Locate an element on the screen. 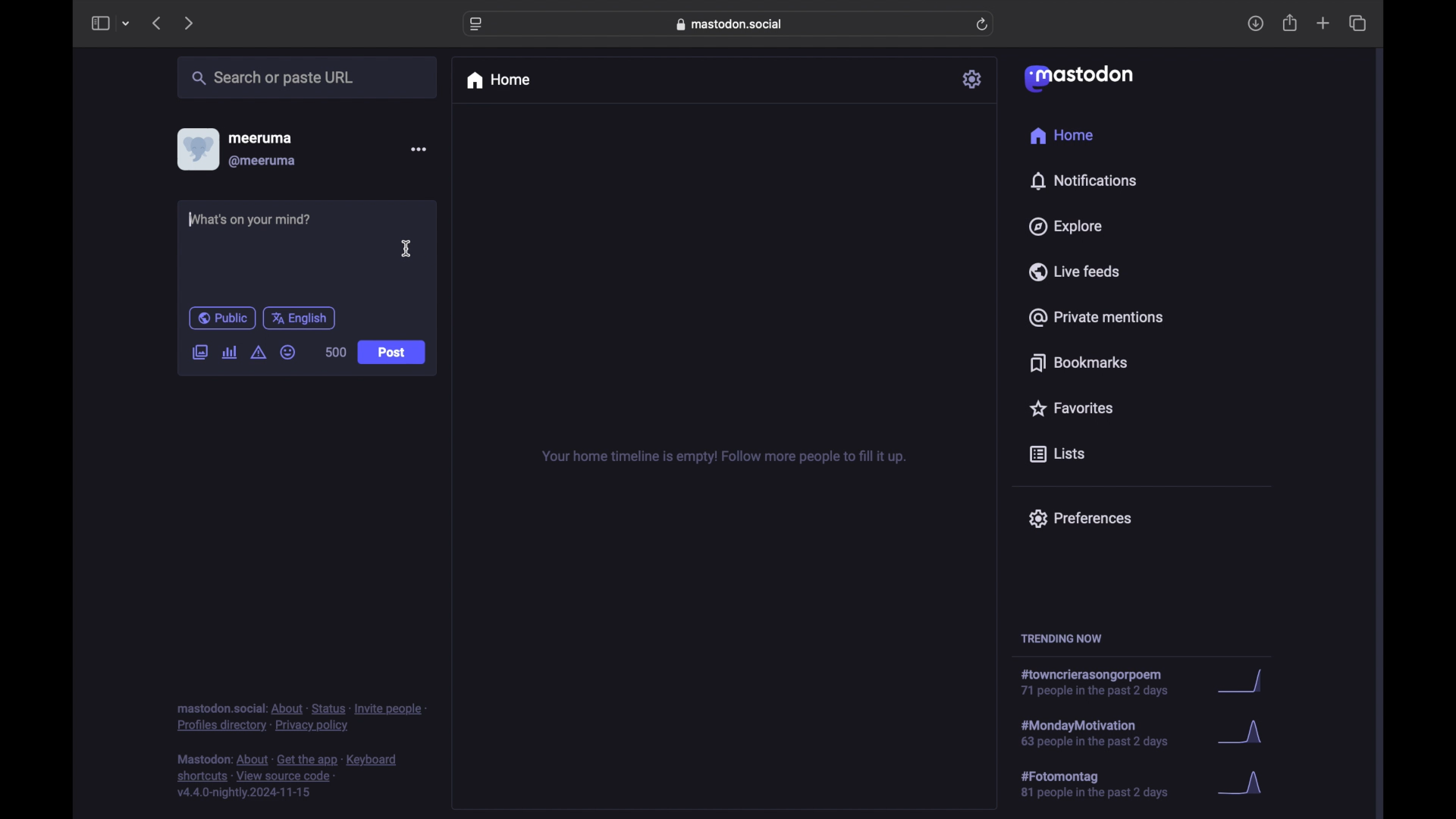 The width and height of the screenshot is (1456, 819). web address is located at coordinates (730, 24).